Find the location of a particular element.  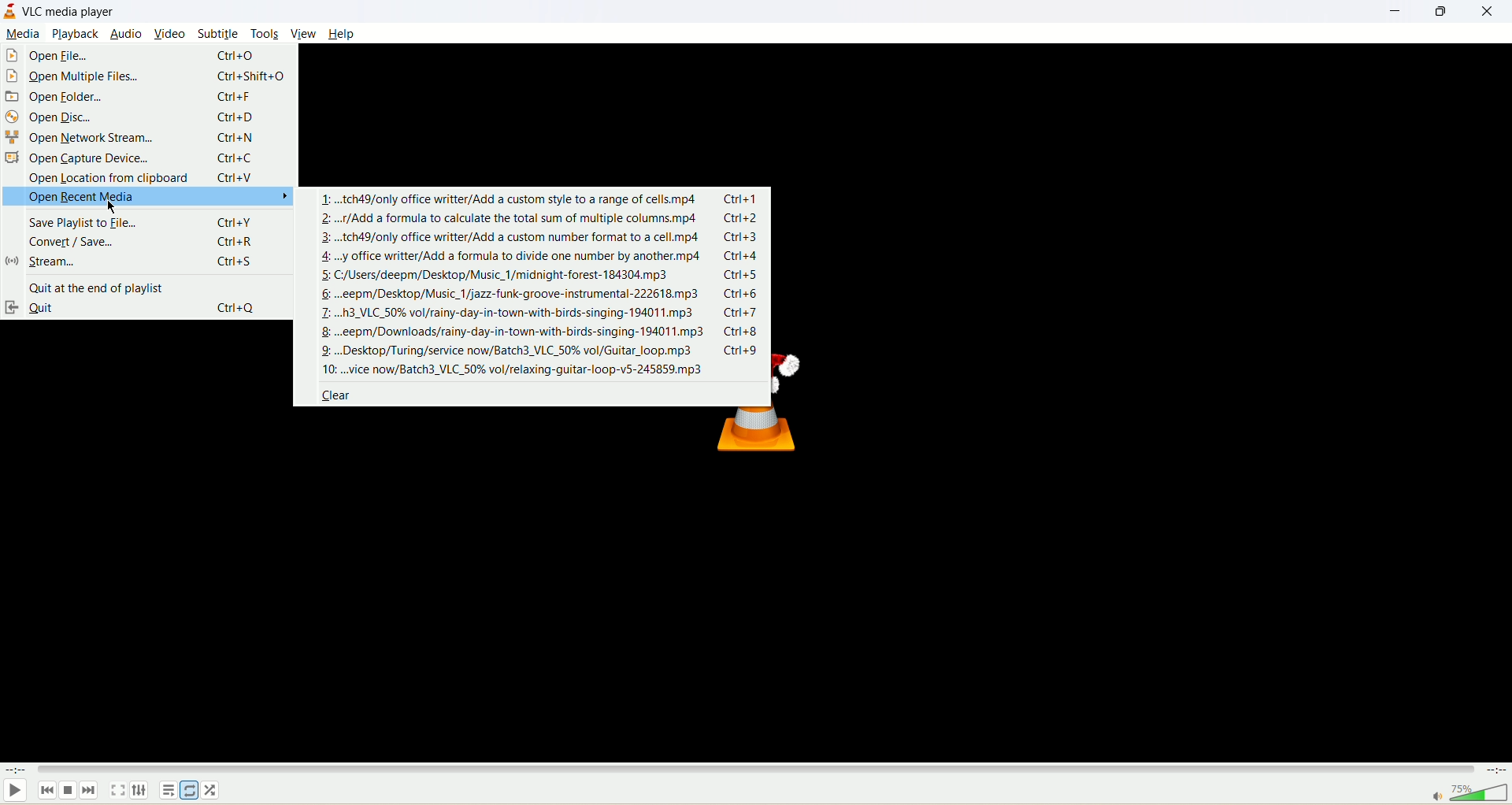

open network stream... is located at coordinates (87, 137).